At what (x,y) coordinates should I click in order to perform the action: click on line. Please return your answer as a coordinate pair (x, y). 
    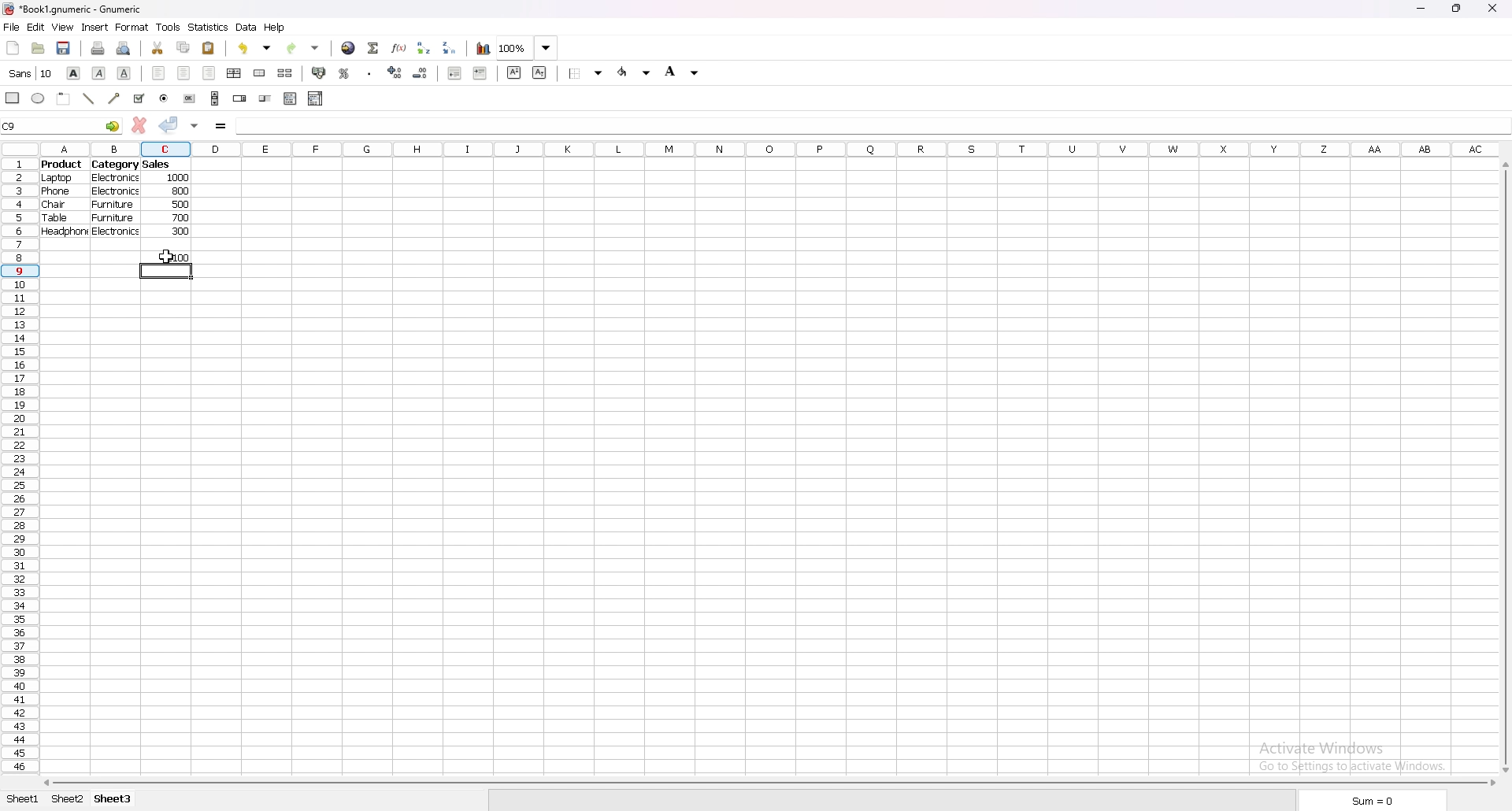
    Looking at the image, I should click on (89, 99).